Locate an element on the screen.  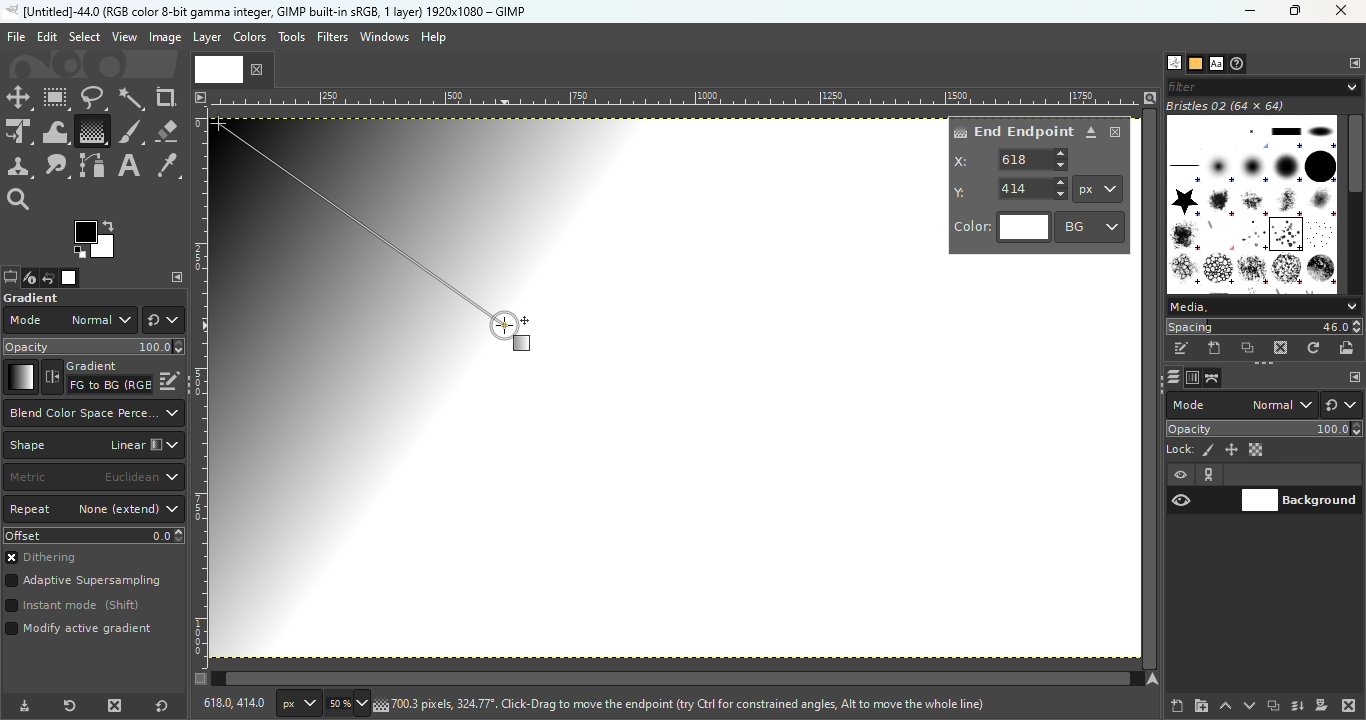
Create a new brush is located at coordinates (1216, 348).